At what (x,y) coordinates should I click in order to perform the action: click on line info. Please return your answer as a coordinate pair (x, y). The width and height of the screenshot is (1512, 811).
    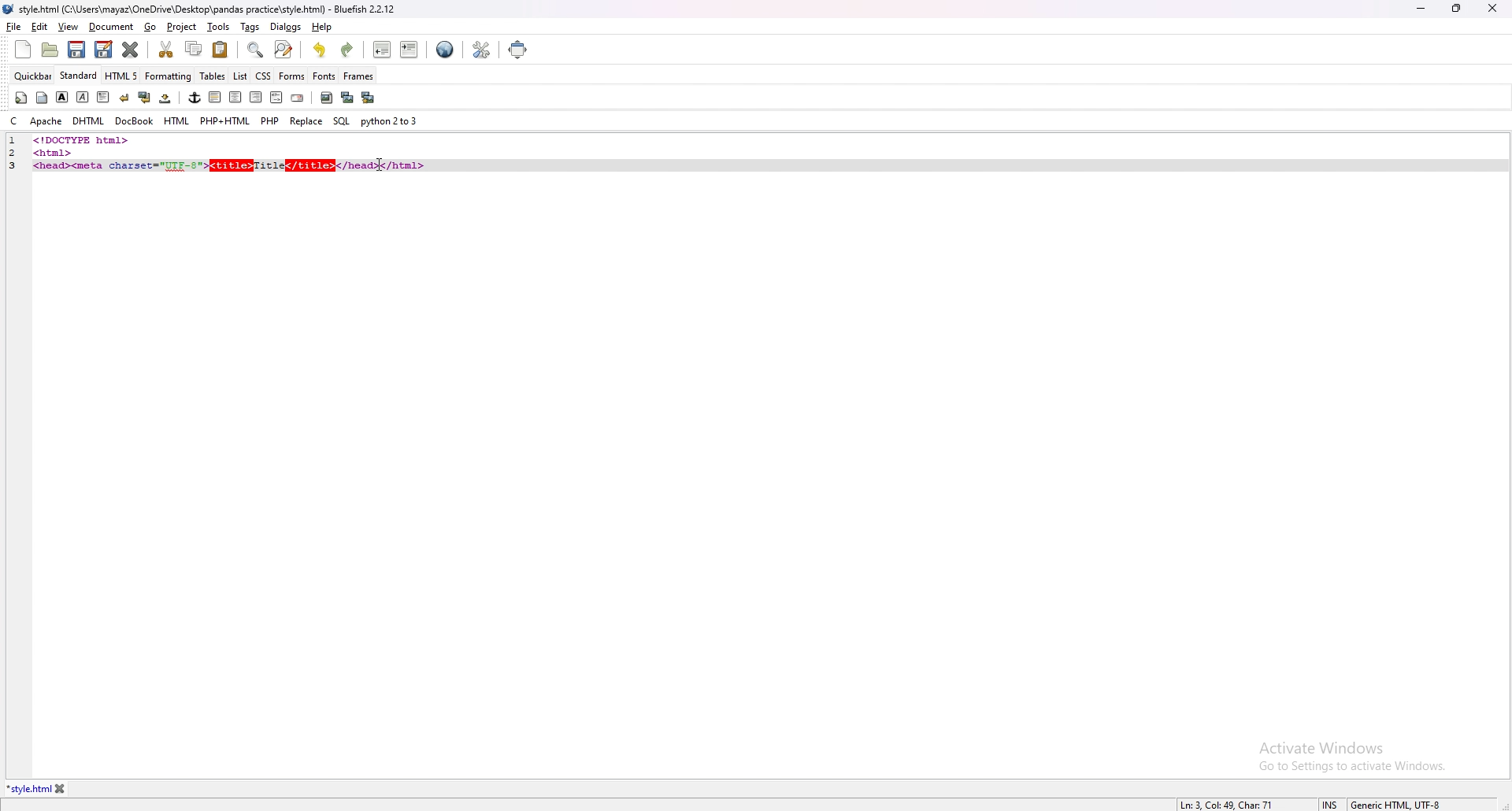
    Looking at the image, I should click on (1226, 803).